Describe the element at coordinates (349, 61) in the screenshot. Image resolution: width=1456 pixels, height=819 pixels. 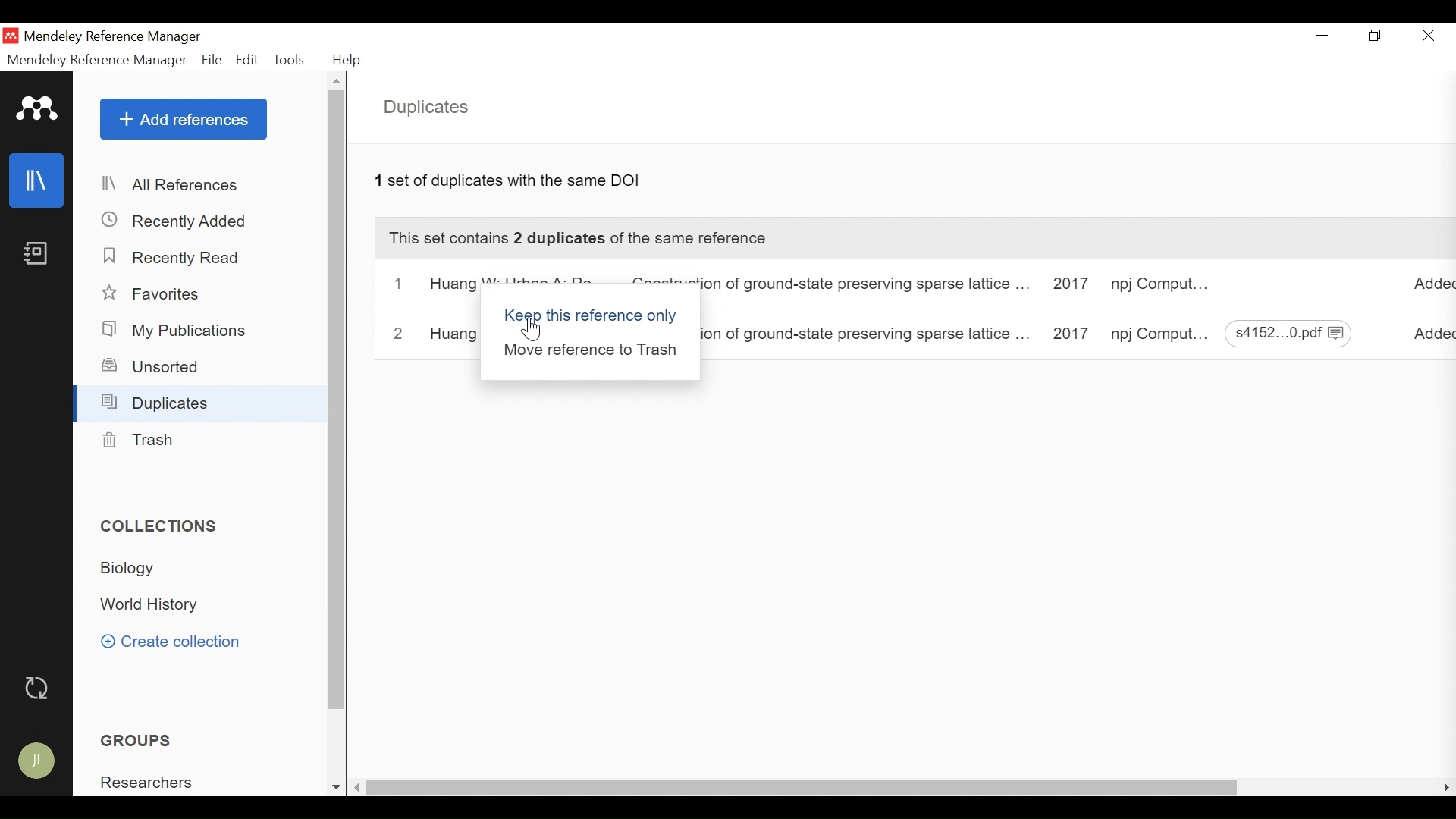
I see `Help` at that location.